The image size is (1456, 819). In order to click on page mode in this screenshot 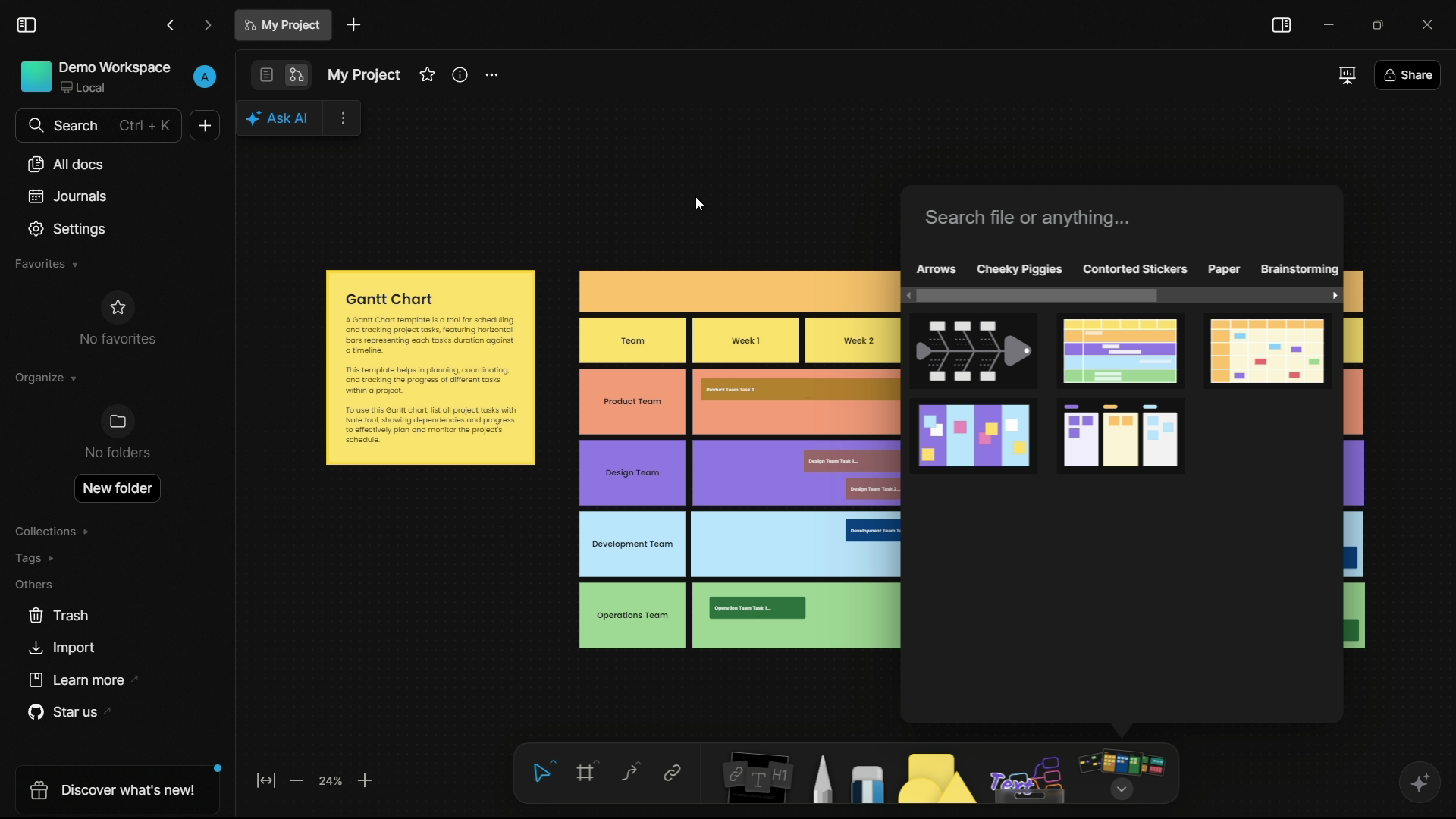, I will do `click(265, 74)`.